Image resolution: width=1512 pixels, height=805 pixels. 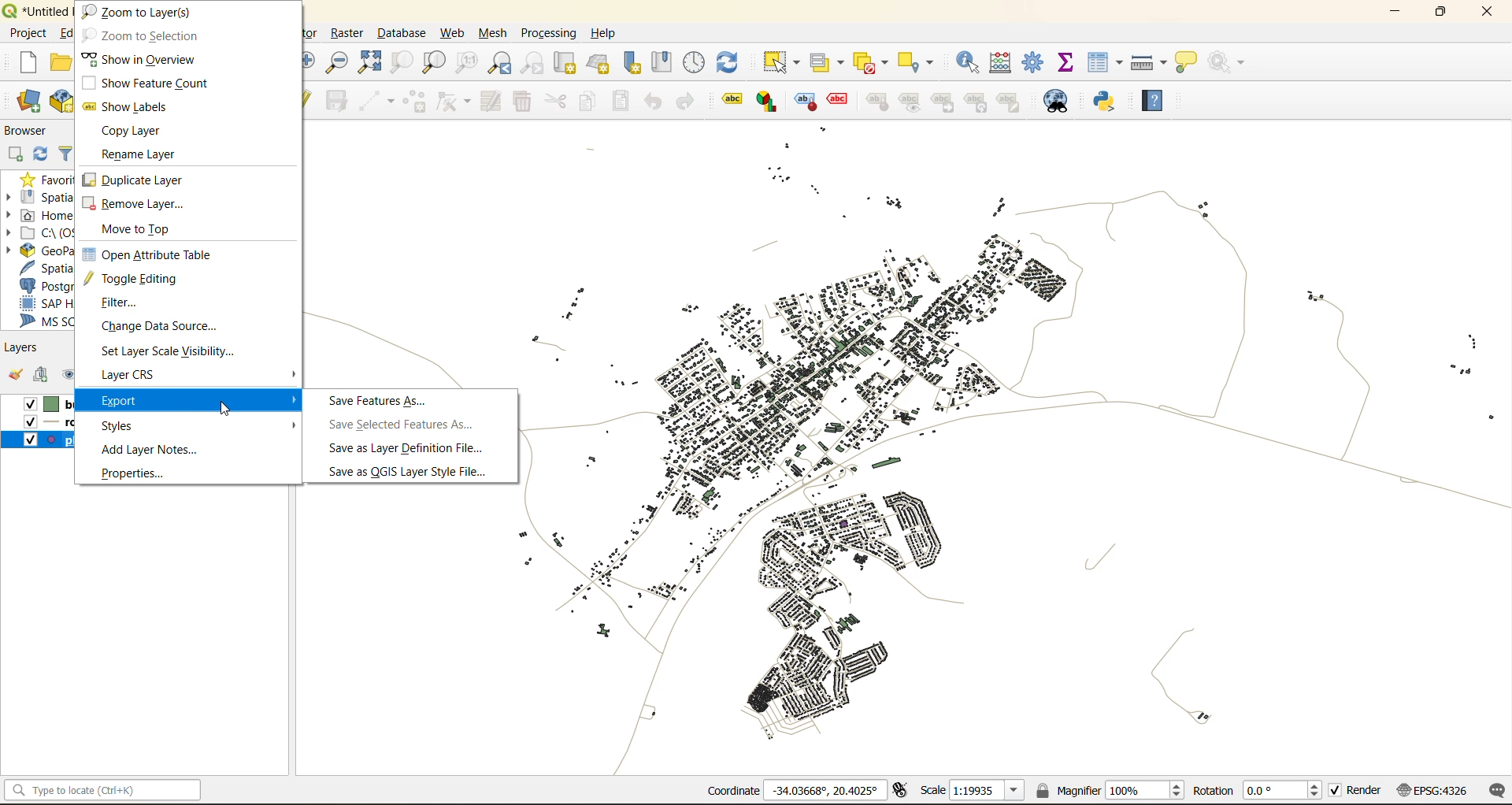 I want to click on new spatial bookmark, so click(x=637, y=63).